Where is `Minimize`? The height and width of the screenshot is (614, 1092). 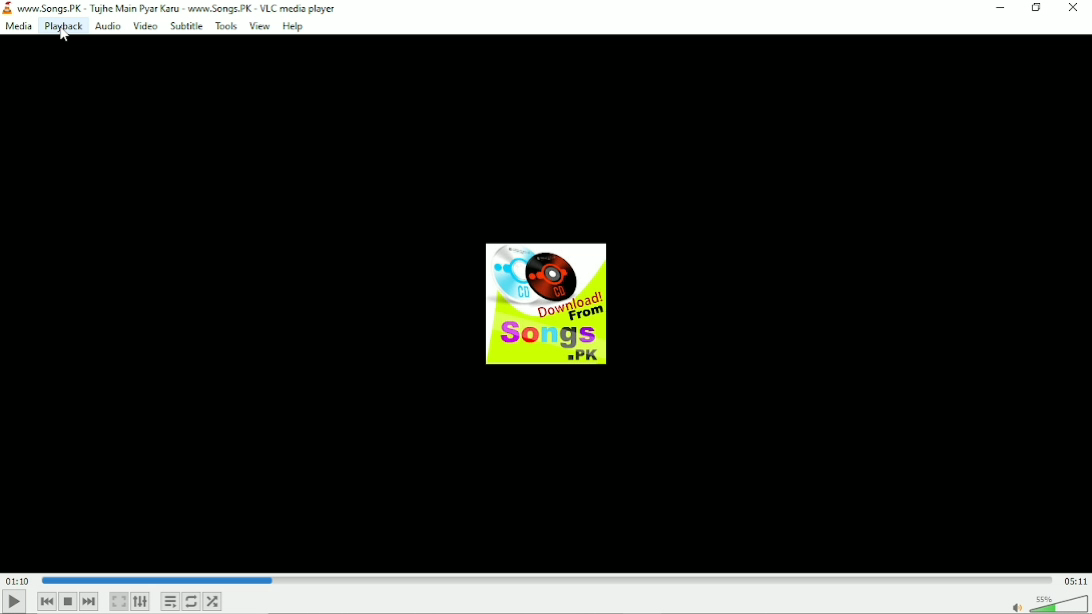 Minimize is located at coordinates (999, 7).